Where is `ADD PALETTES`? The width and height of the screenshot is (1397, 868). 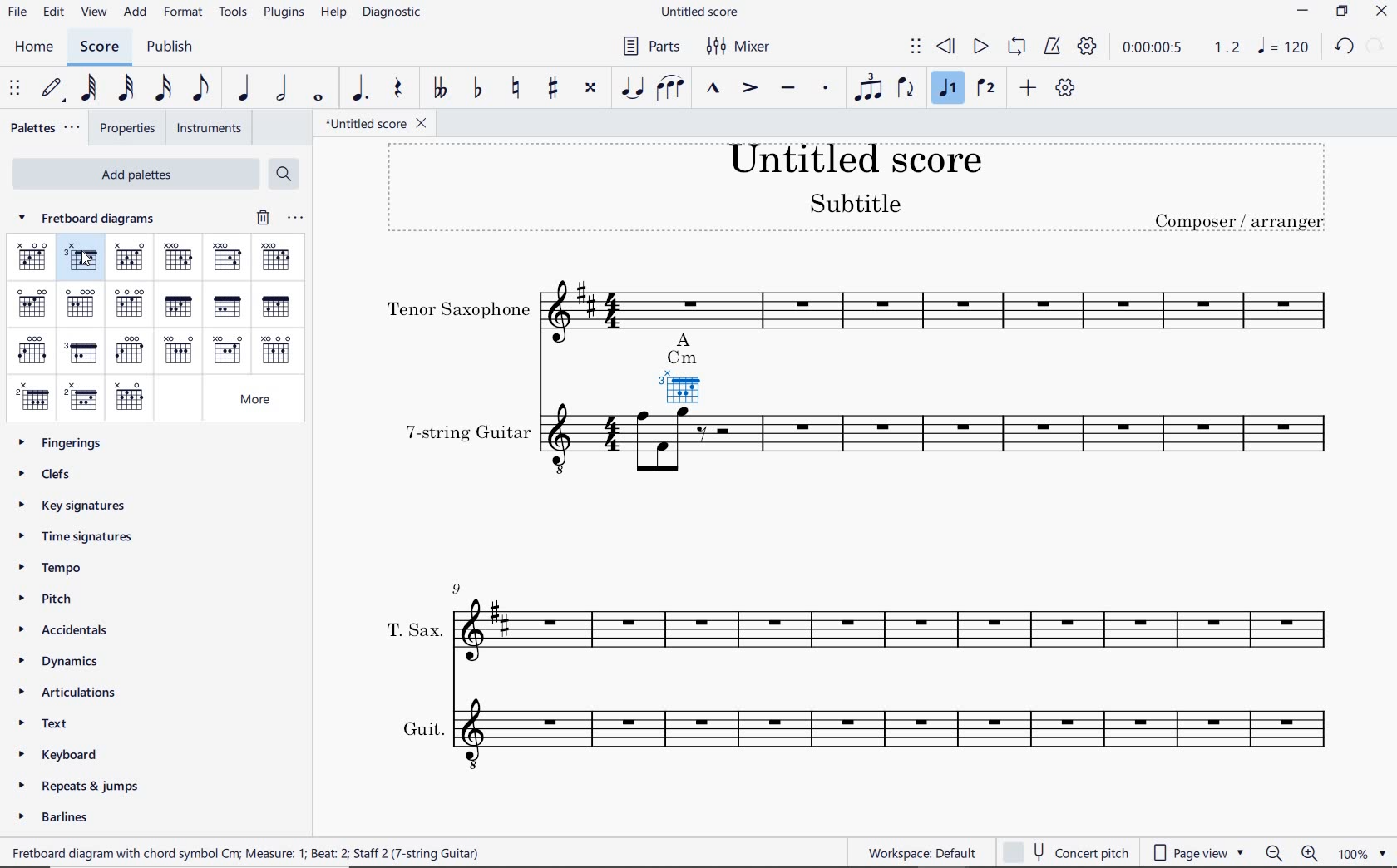
ADD PALETTES is located at coordinates (136, 172).